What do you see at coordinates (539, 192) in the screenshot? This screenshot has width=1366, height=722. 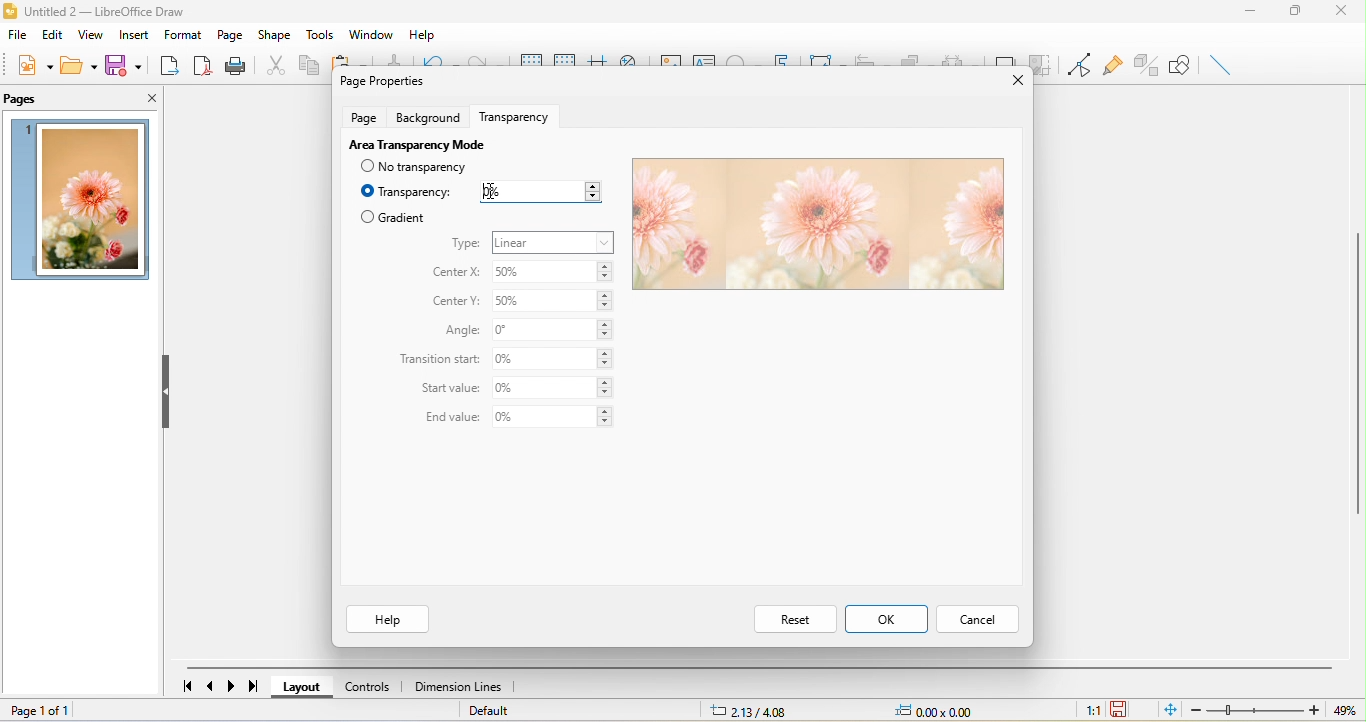 I see `0%` at bounding box center [539, 192].